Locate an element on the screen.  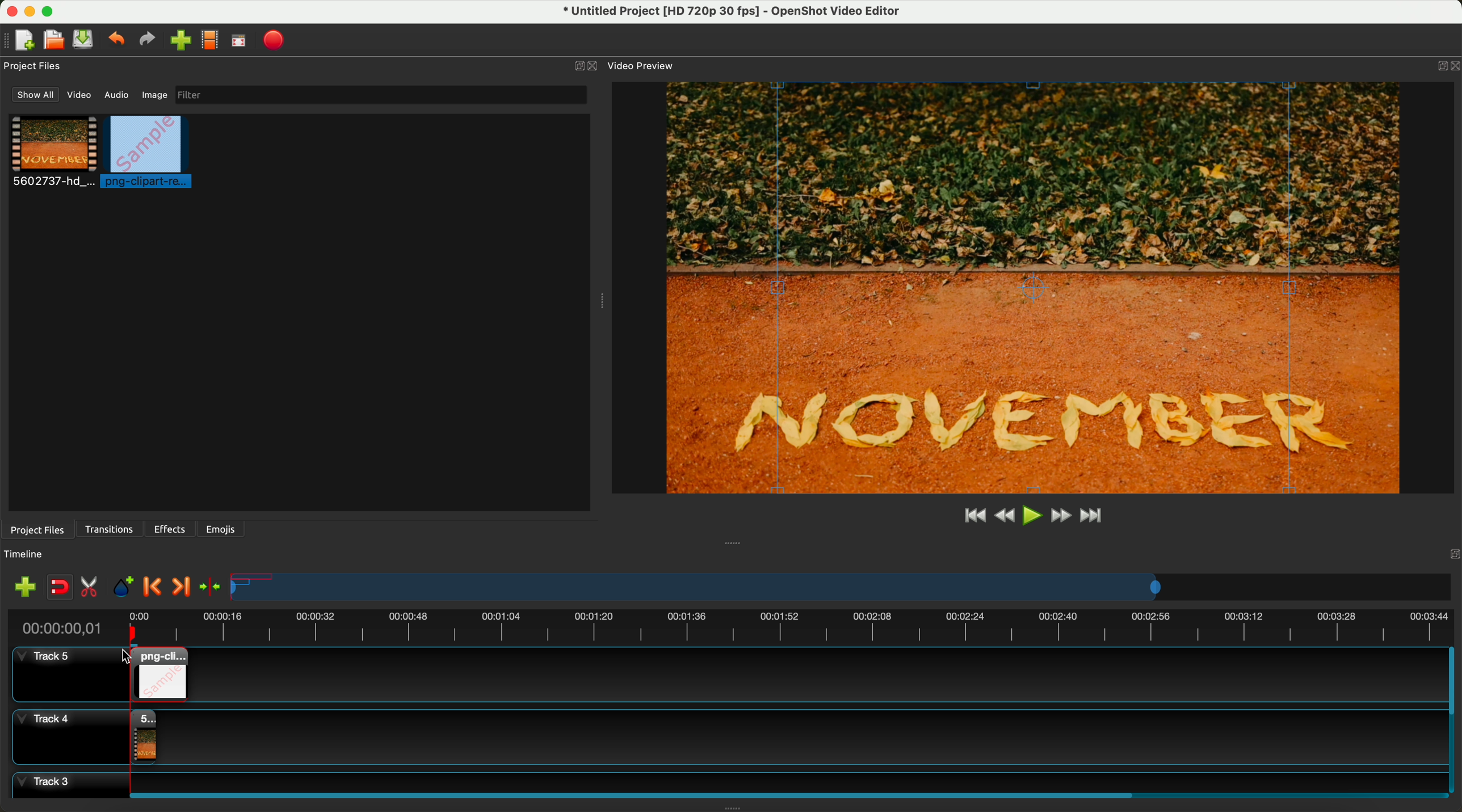
image is located at coordinates (153, 96).